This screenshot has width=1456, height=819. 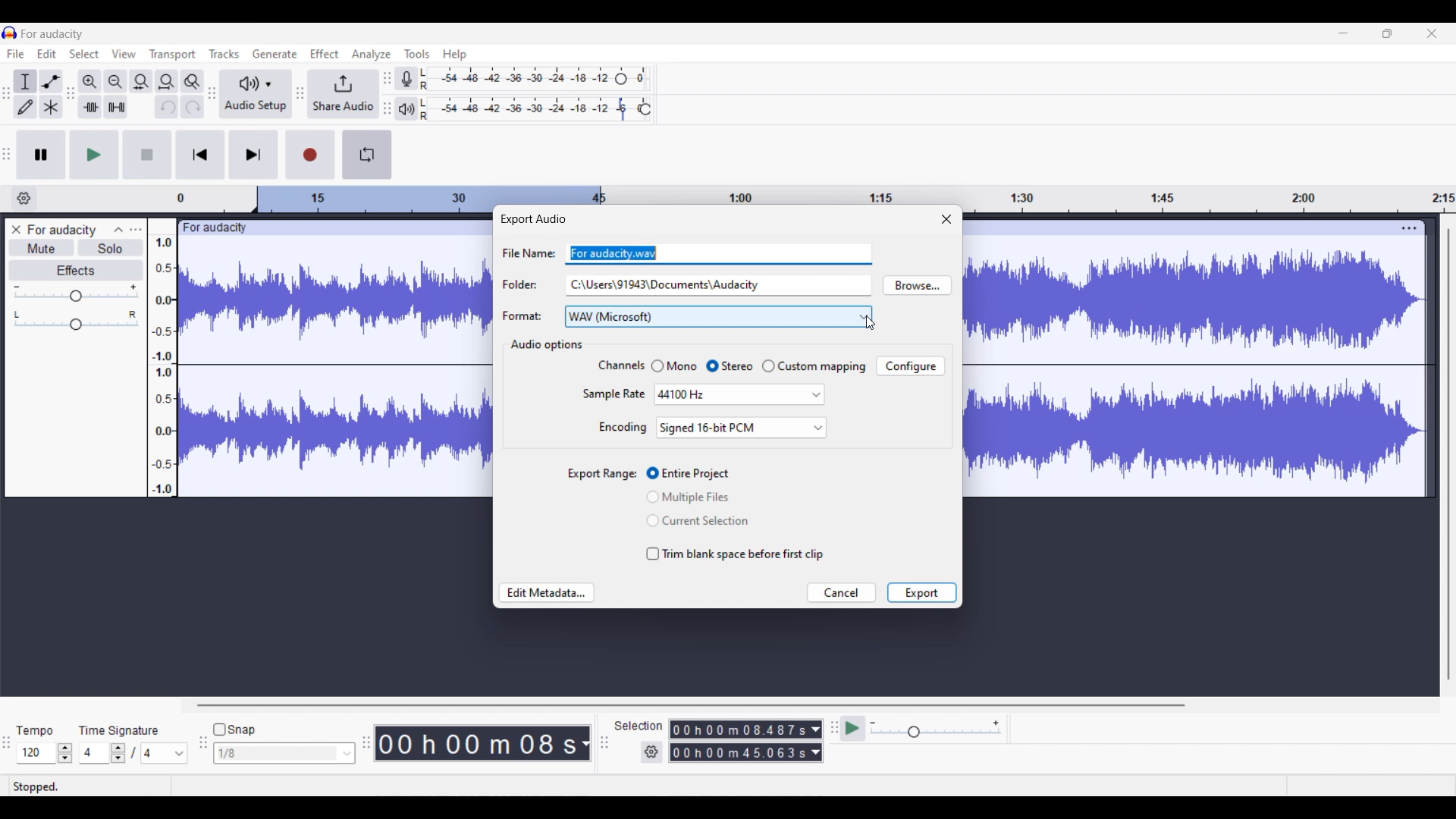 What do you see at coordinates (814, 366) in the screenshot?
I see `Toggle for Custom mapping` at bounding box center [814, 366].